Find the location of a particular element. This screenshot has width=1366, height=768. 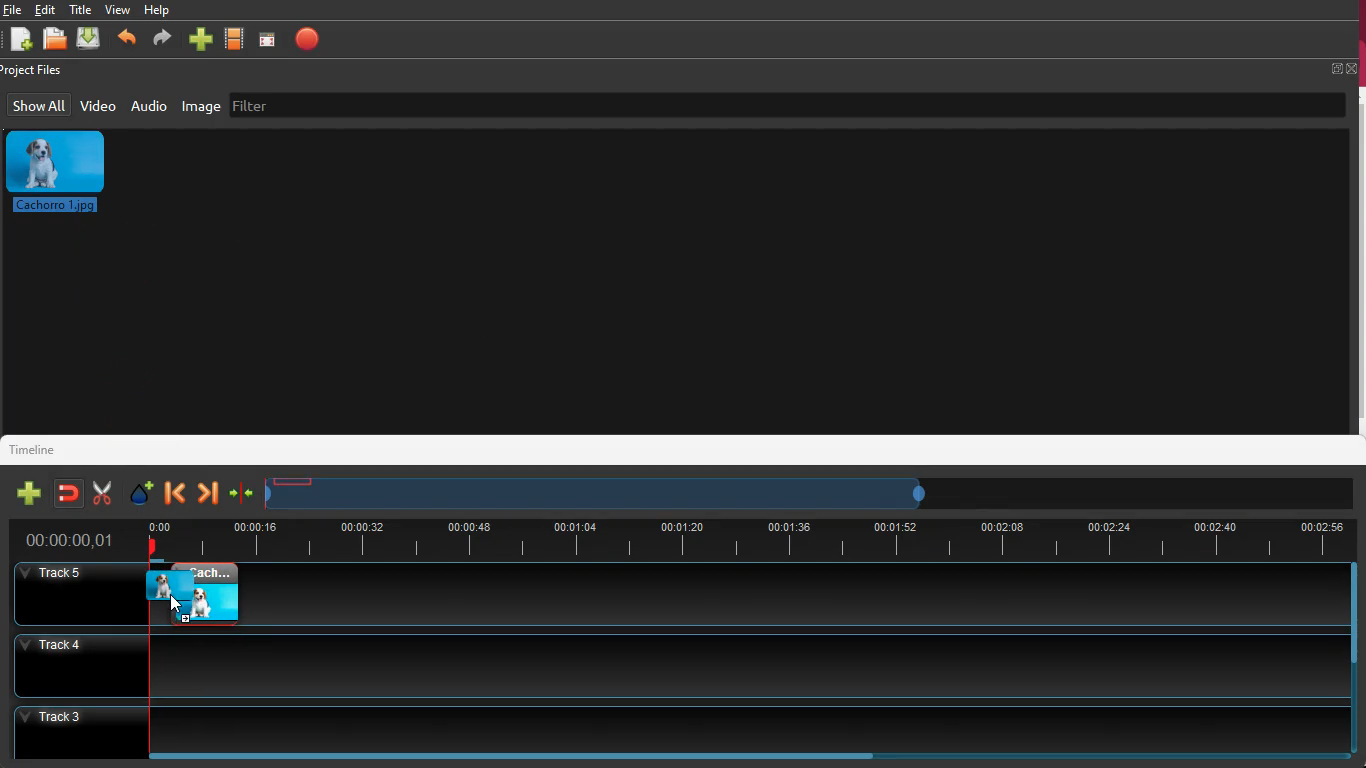

title is located at coordinates (83, 9).